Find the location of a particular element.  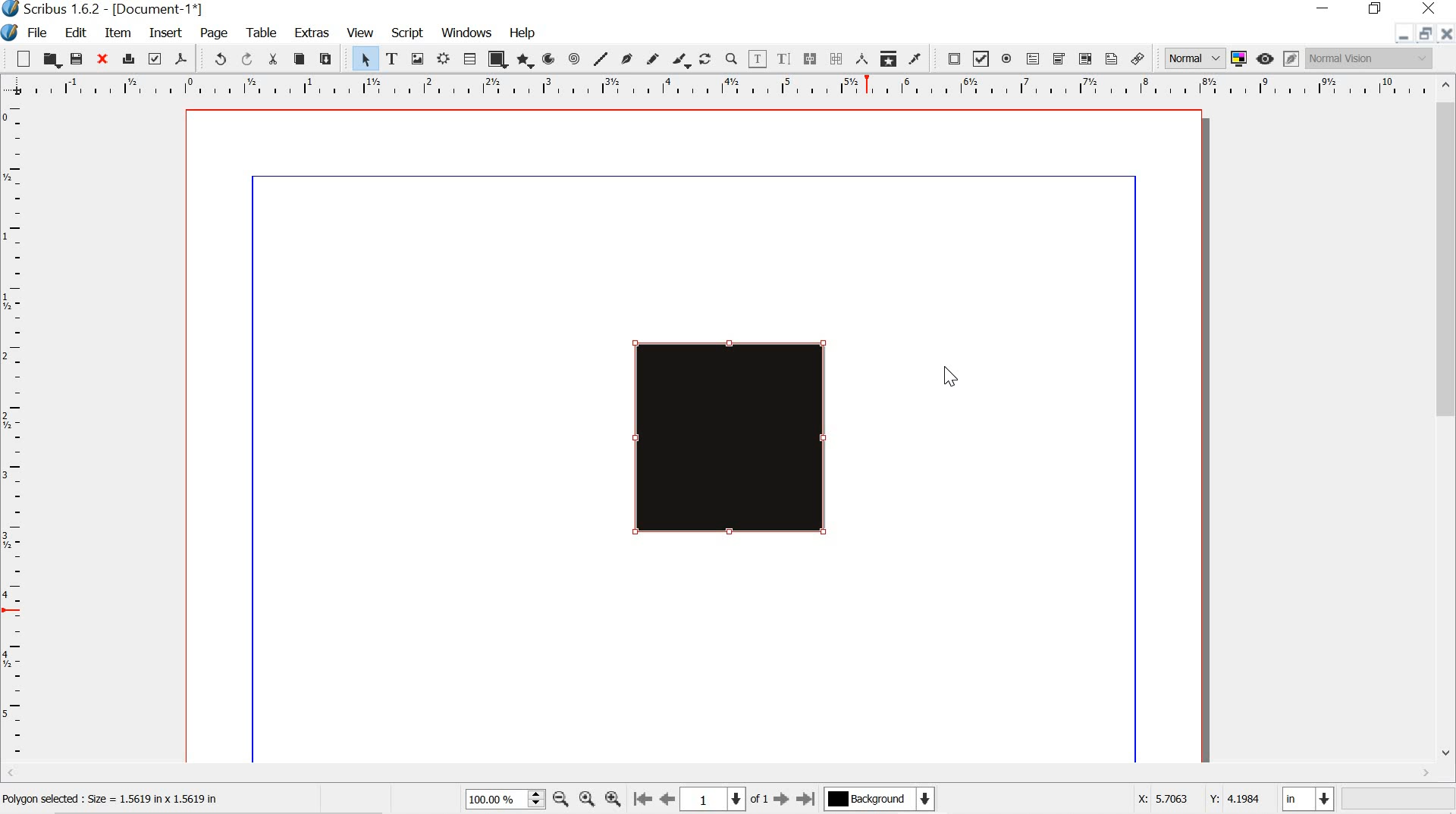

select item is located at coordinates (365, 58).